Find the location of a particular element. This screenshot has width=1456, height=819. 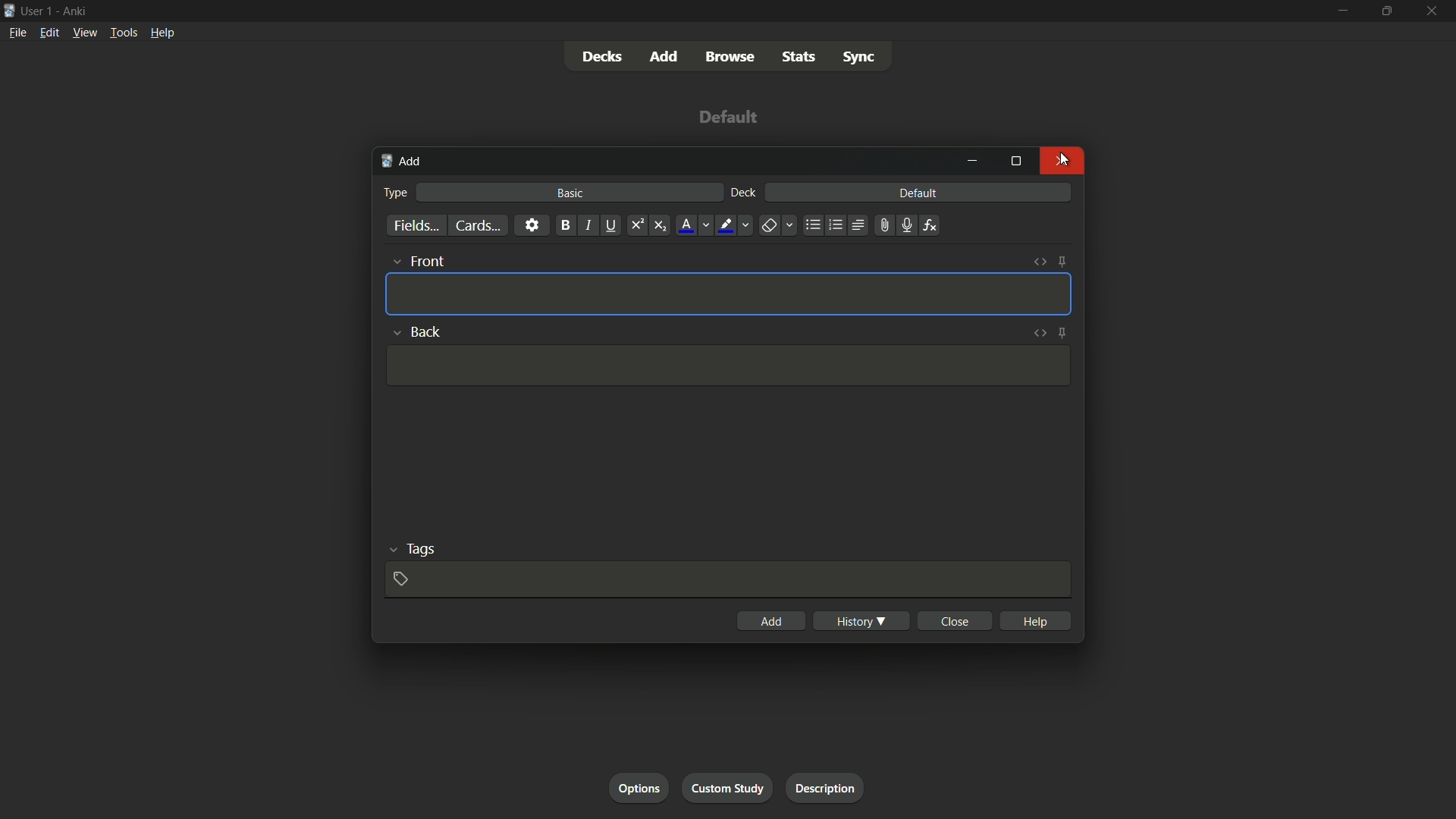

browse is located at coordinates (729, 58).